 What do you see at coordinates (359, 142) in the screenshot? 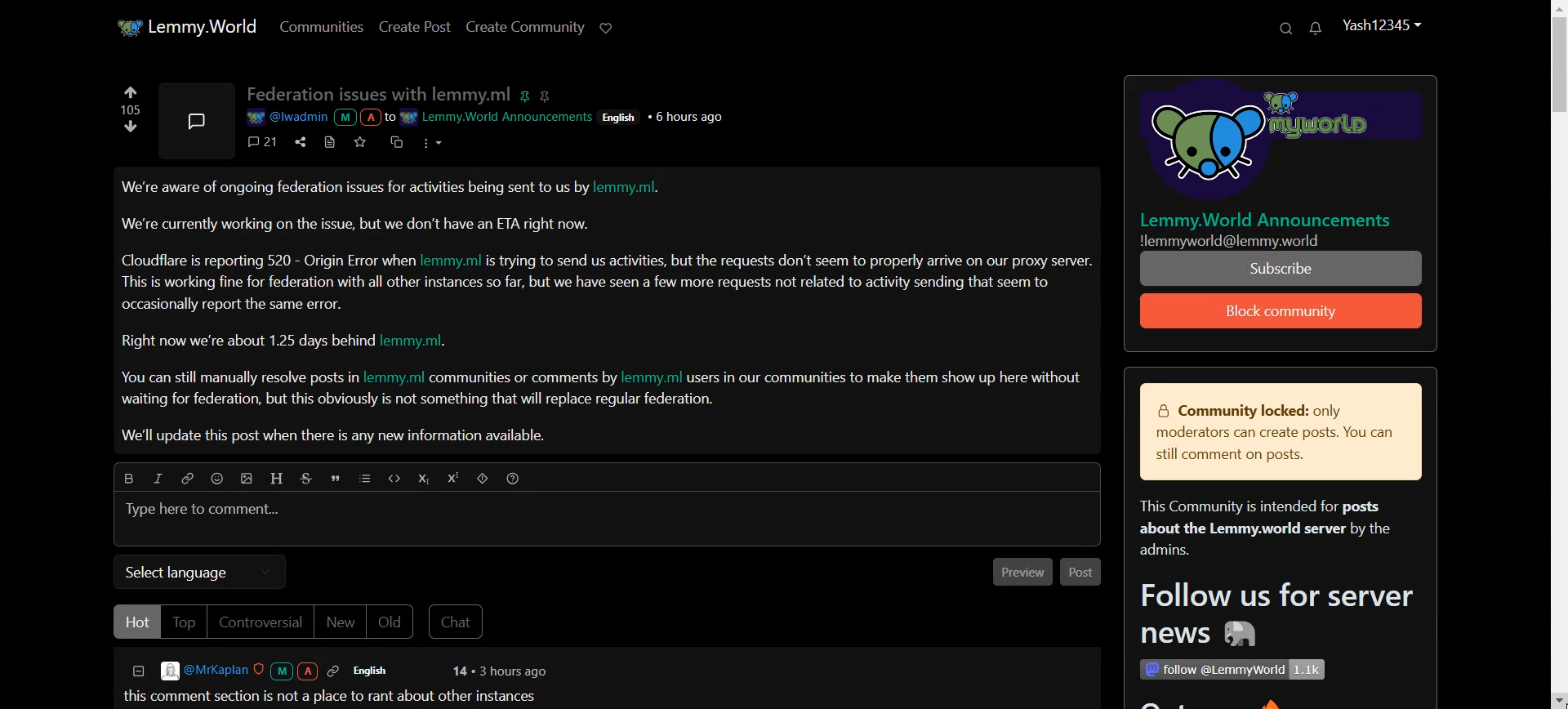
I see `Save` at bounding box center [359, 142].